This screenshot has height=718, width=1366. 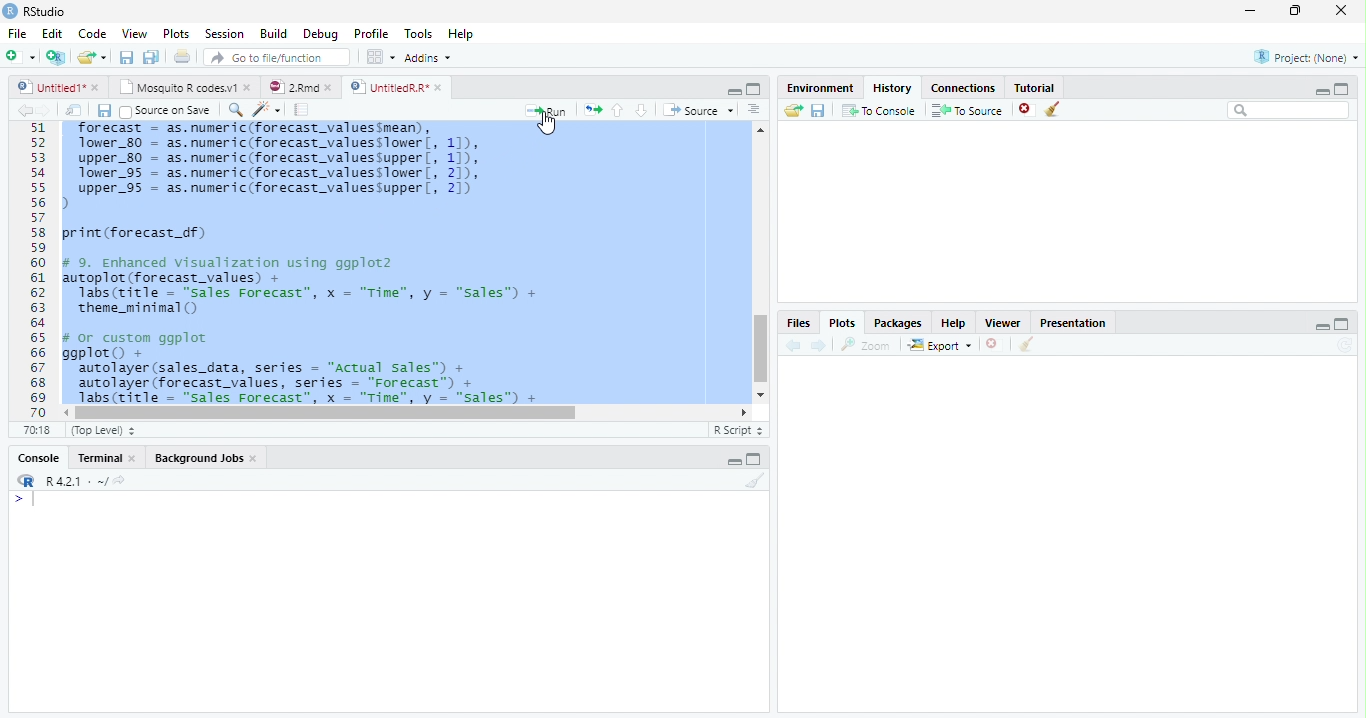 I want to click on Maximize, so click(x=755, y=90).